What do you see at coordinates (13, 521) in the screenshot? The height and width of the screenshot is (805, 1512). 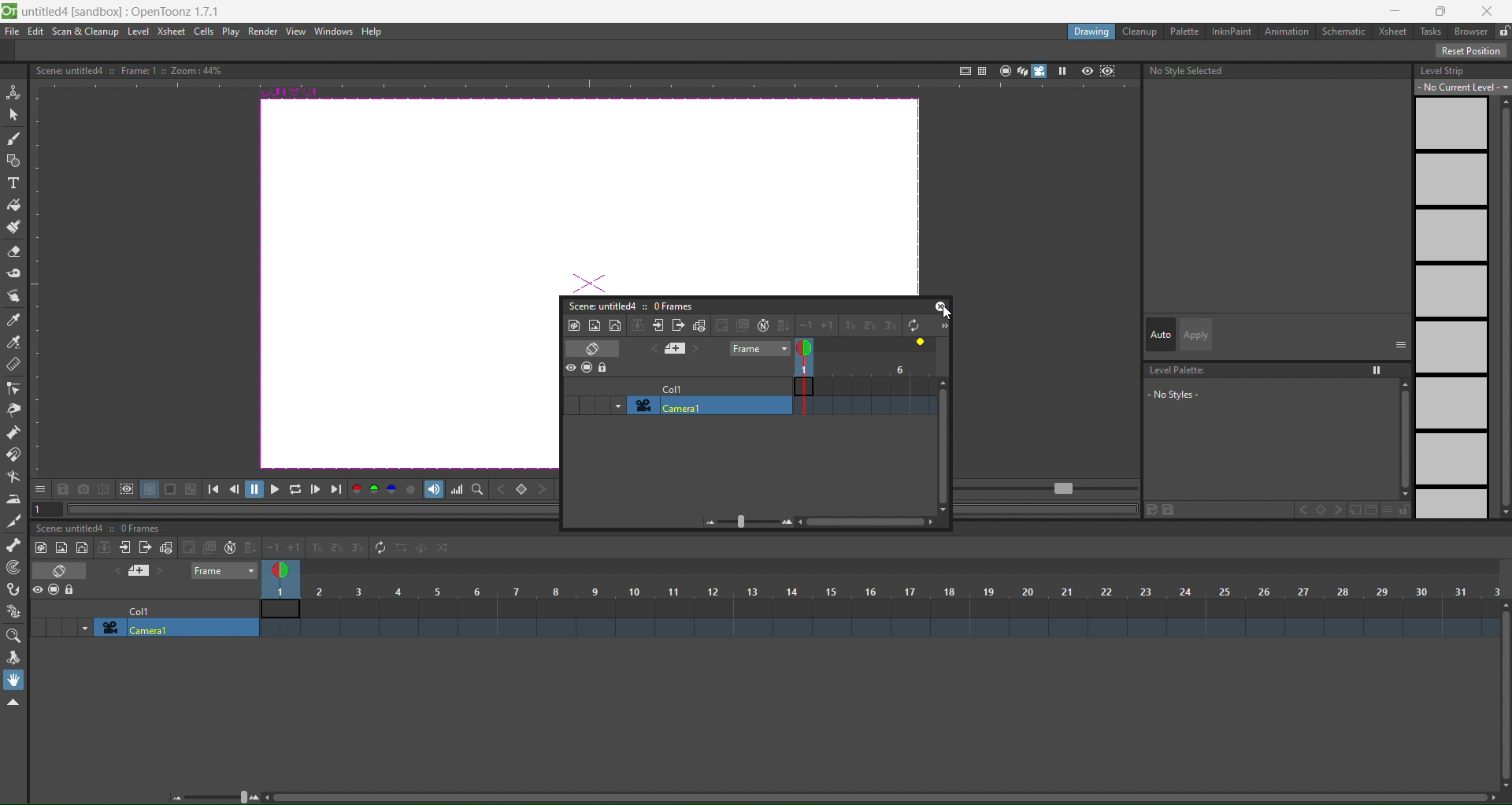 I see `cutter tool` at bounding box center [13, 521].